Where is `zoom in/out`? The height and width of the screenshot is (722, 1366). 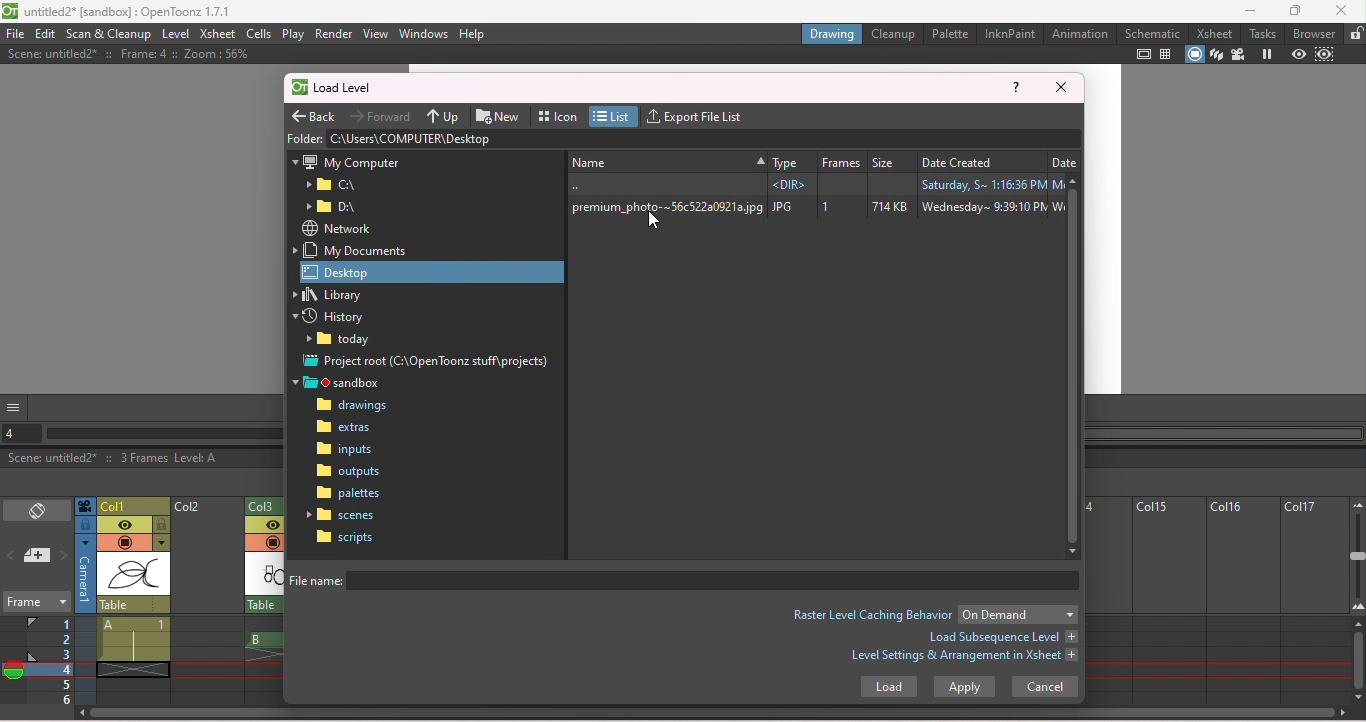
zoom in/out is located at coordinates (1358, 555).